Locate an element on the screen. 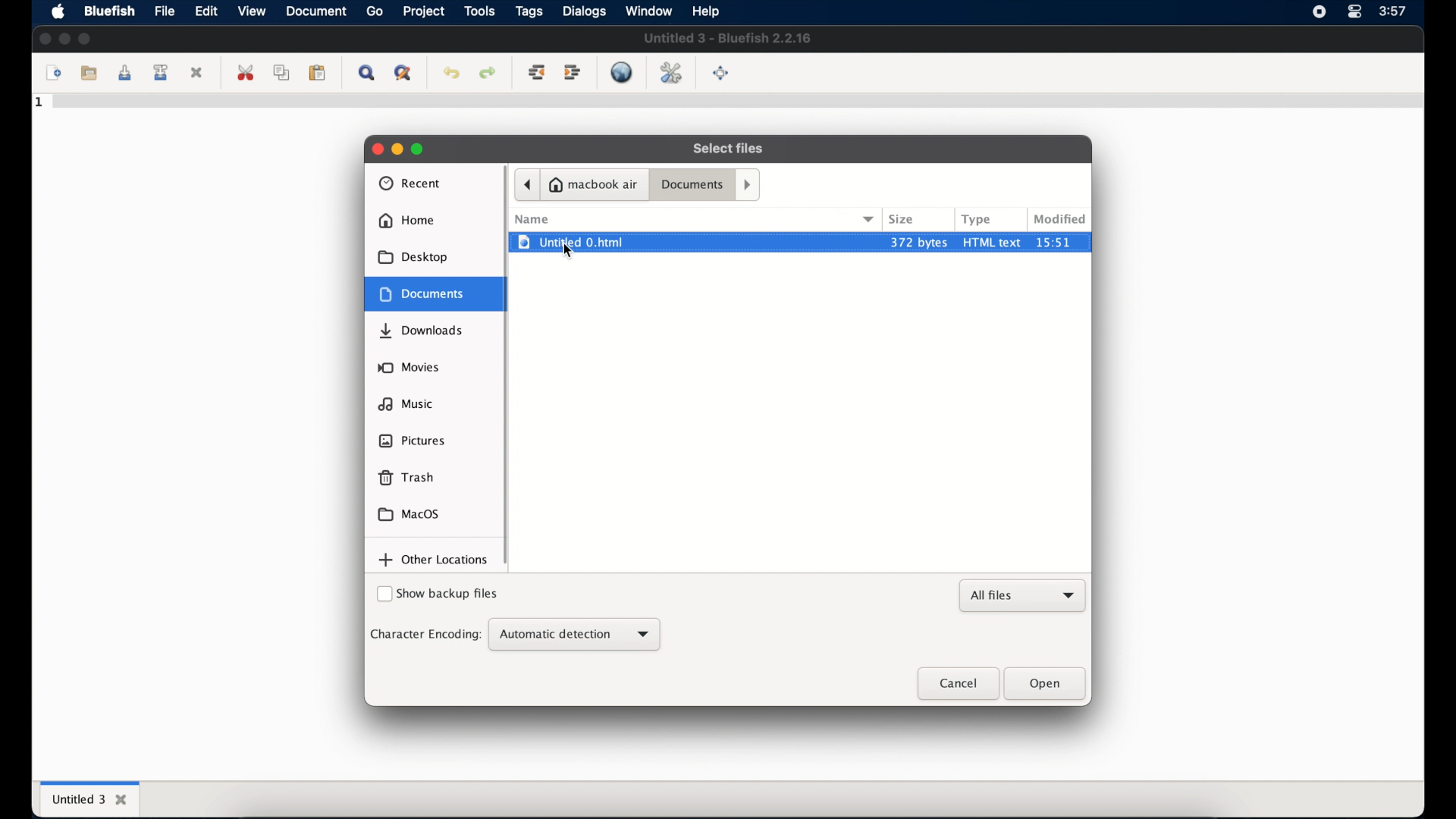 This screenshot has width=1456, height=819. document is located at coordinates (317, 11).